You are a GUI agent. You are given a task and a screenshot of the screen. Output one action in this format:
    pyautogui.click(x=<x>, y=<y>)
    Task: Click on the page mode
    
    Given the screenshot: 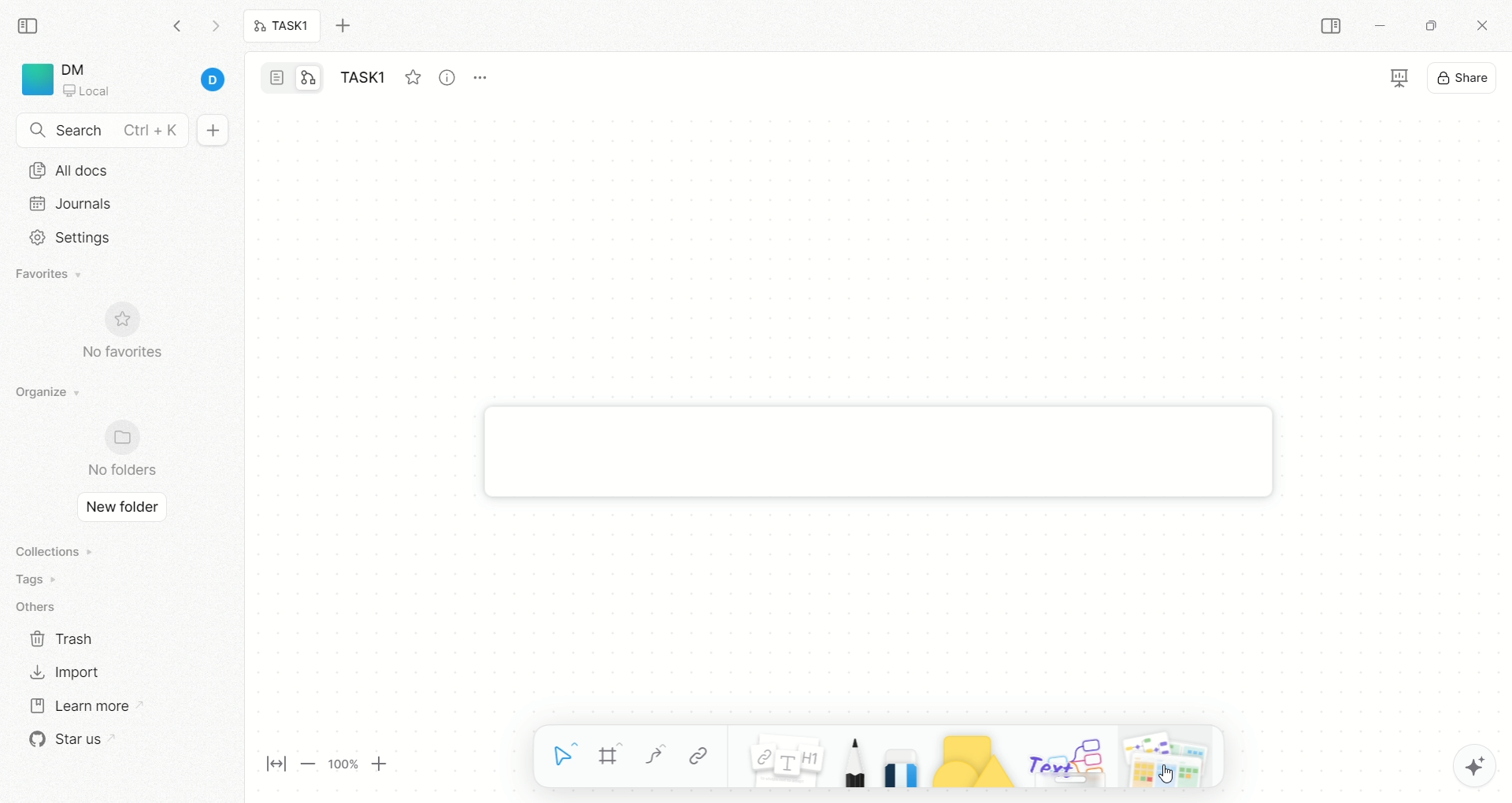 What is the action you would take?
    pyautogui.click(x=278, y=80)
    